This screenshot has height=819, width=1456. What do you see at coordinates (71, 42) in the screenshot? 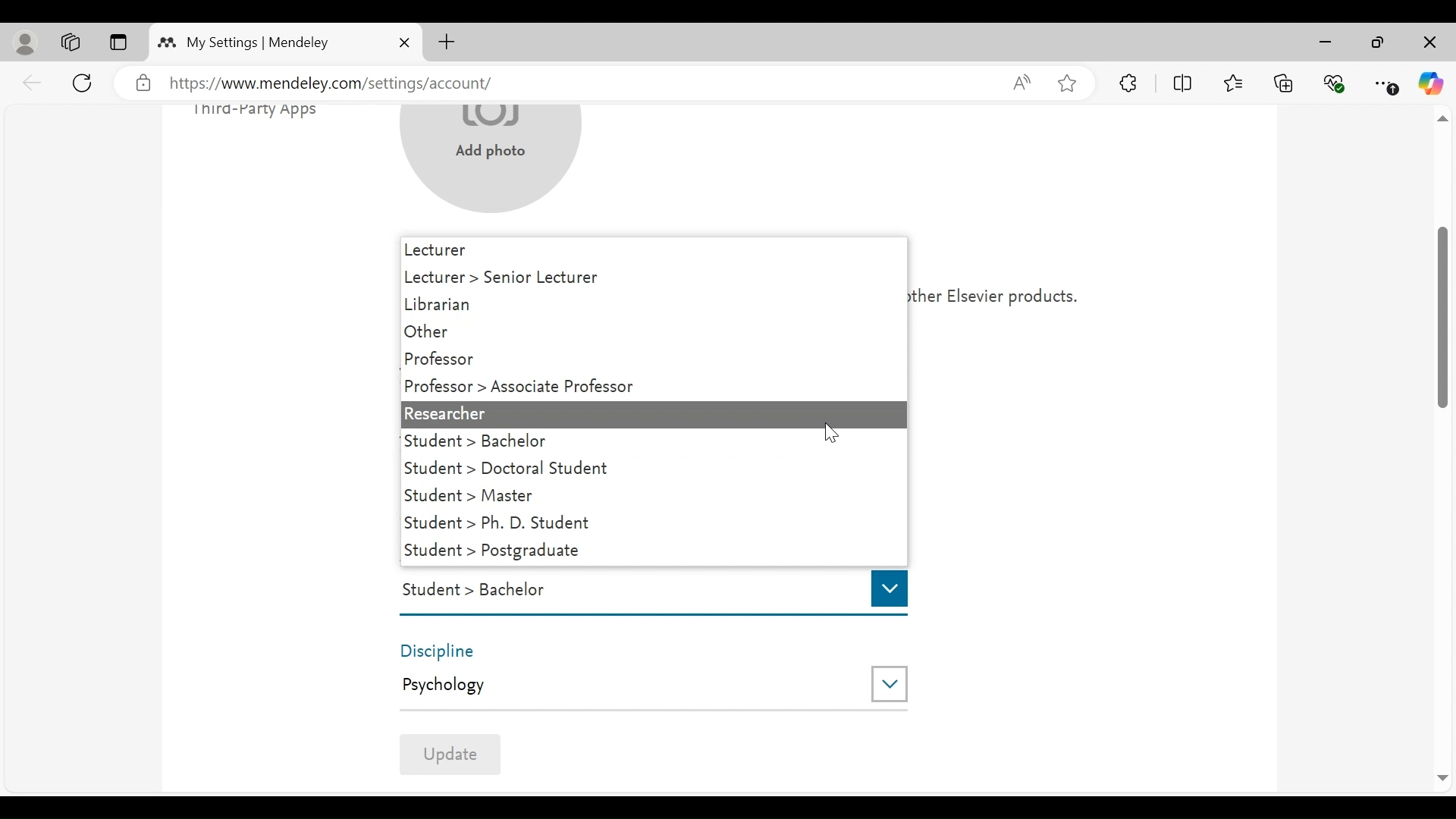
I see `Workspaces` at bounding box center [71, 42].